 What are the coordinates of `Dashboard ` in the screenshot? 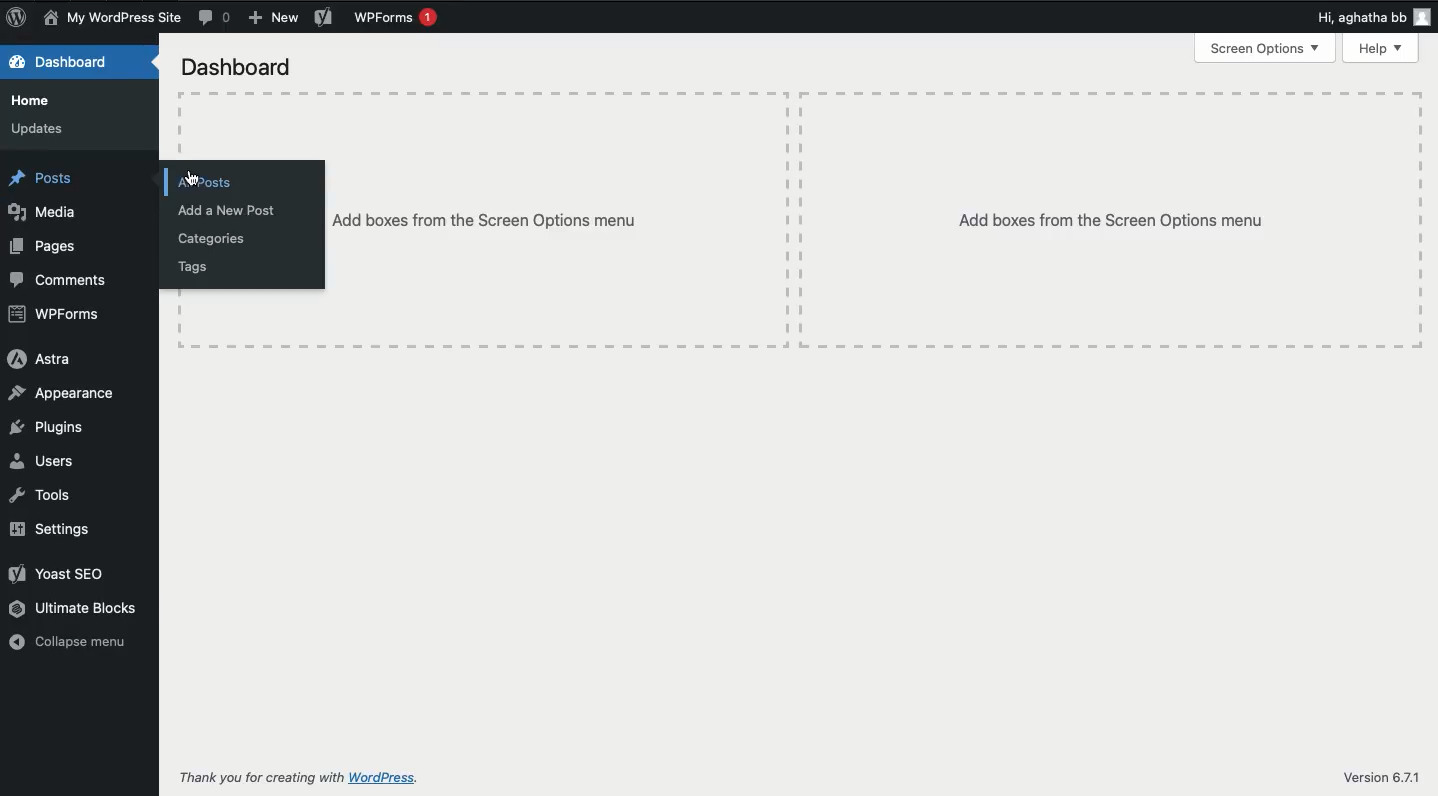 It's located at (239, 67).